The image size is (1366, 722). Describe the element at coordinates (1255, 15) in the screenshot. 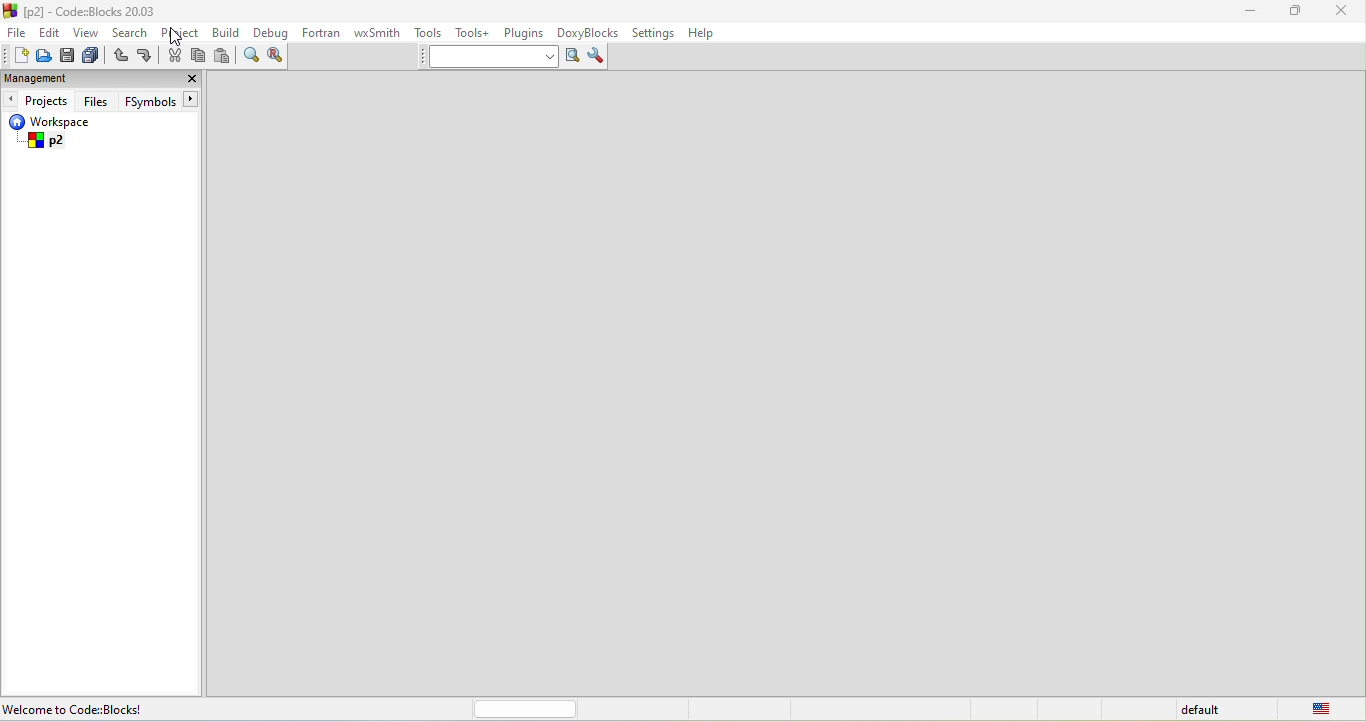

I see `minimize` at that location.